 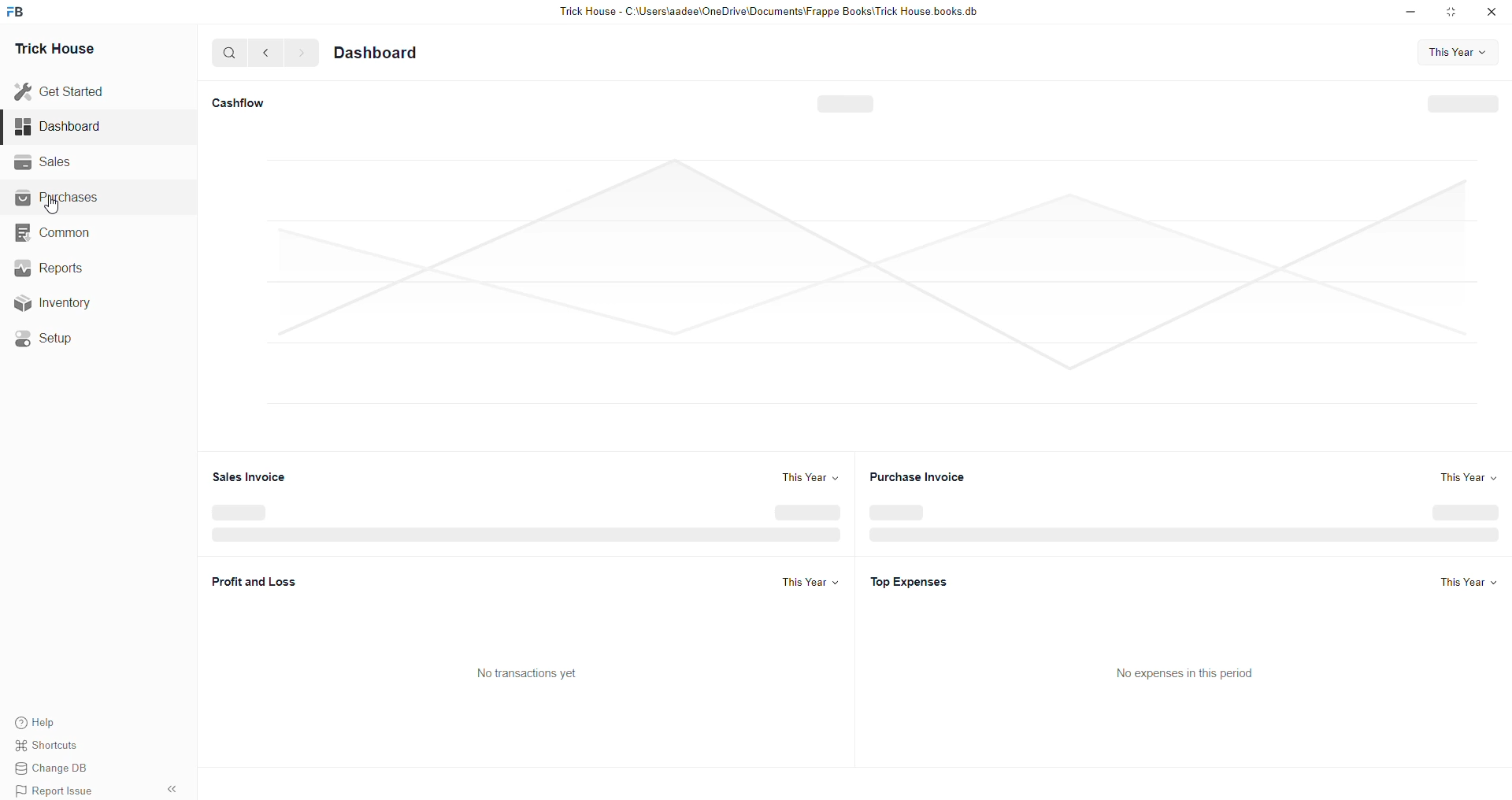 What do you see at coordinates (1492, 12) in the screenshot?
I see `close` at bounding box center [1492, 12].